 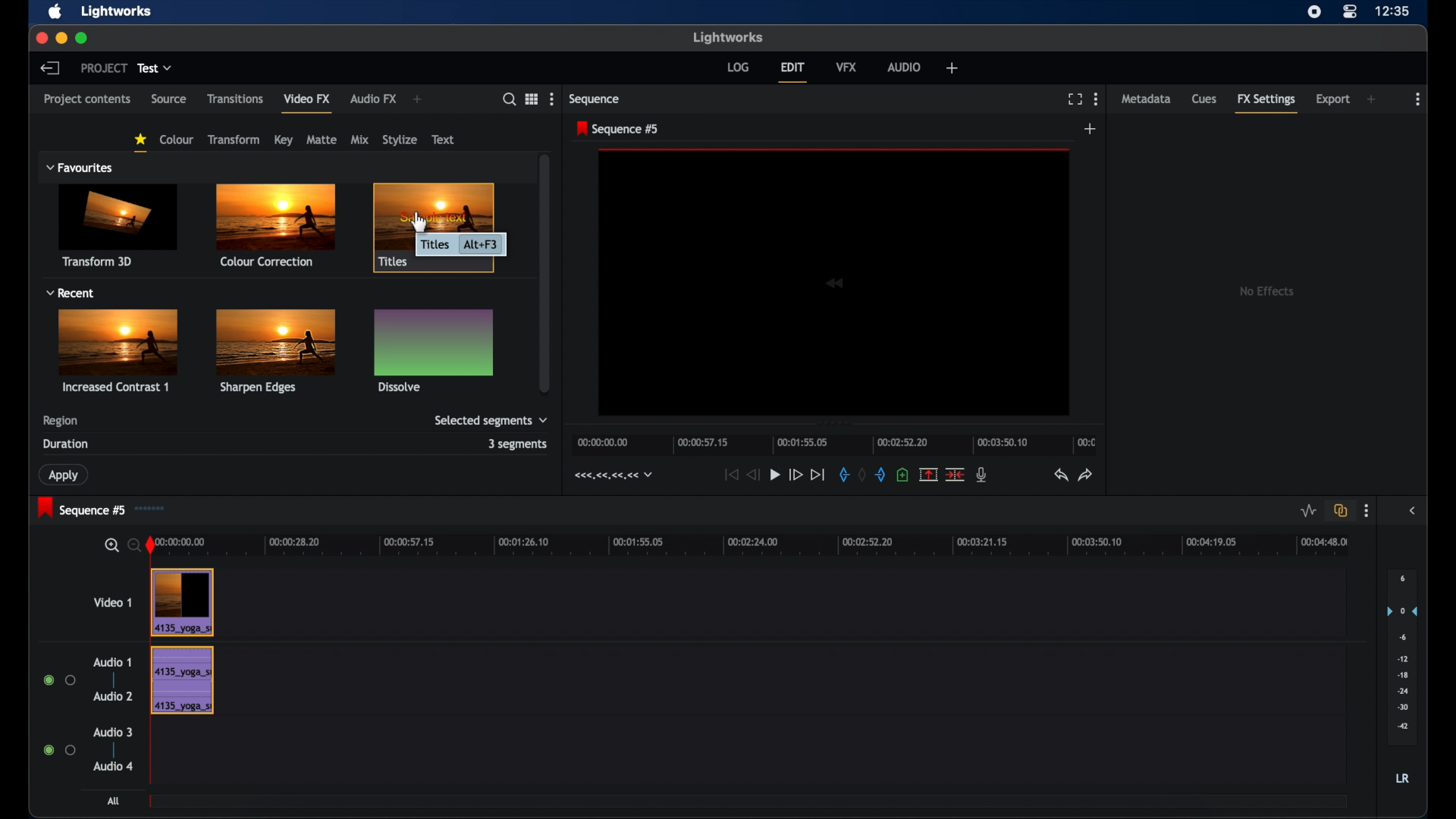 I want to click on minimize, so click(x=61, y=38).